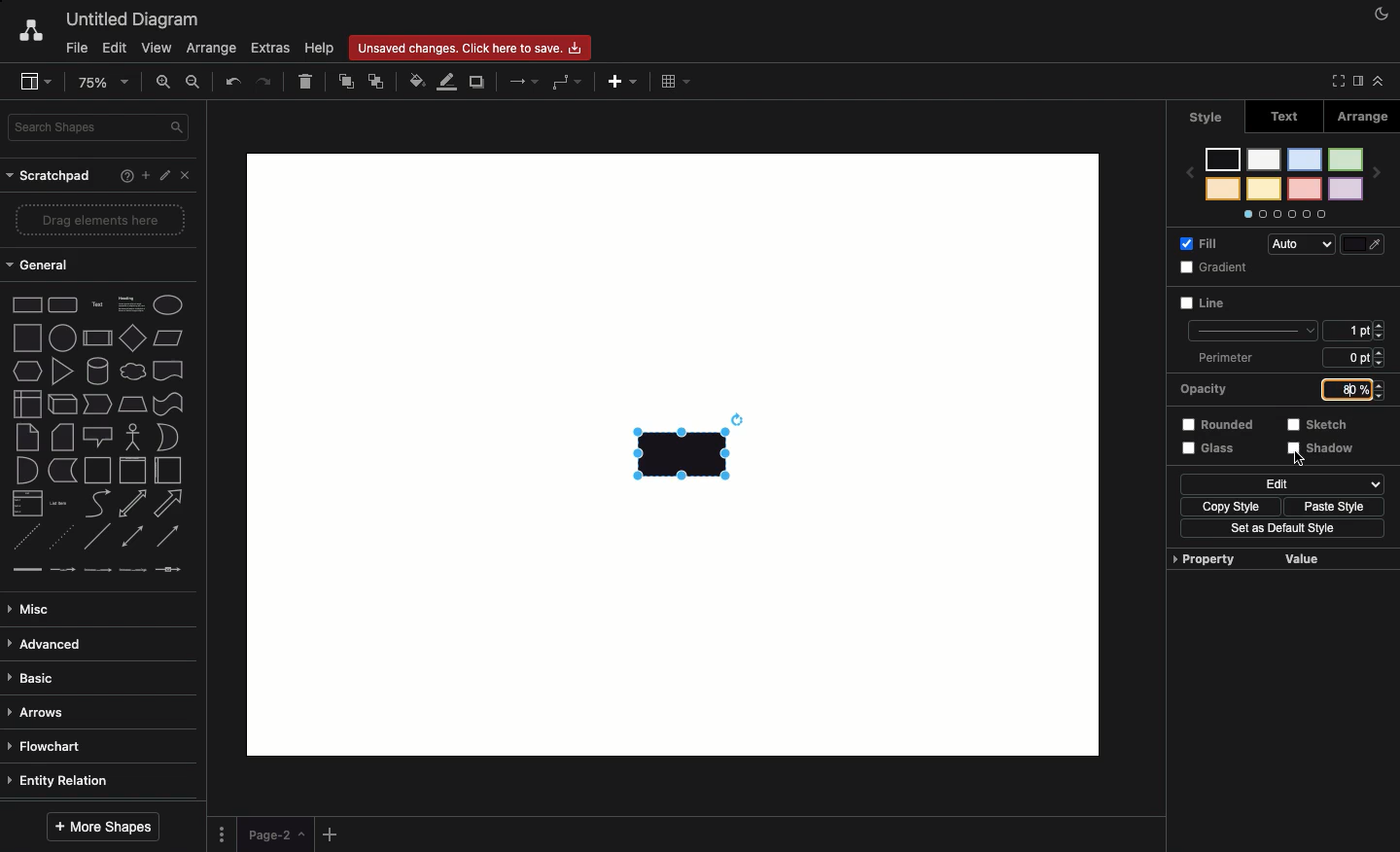 The height and width of the screenshot is (852, 1400). What do you see at coordinates (1280, 117) in the screenshot?
I see `Text` at bounding box center [1280, 117].